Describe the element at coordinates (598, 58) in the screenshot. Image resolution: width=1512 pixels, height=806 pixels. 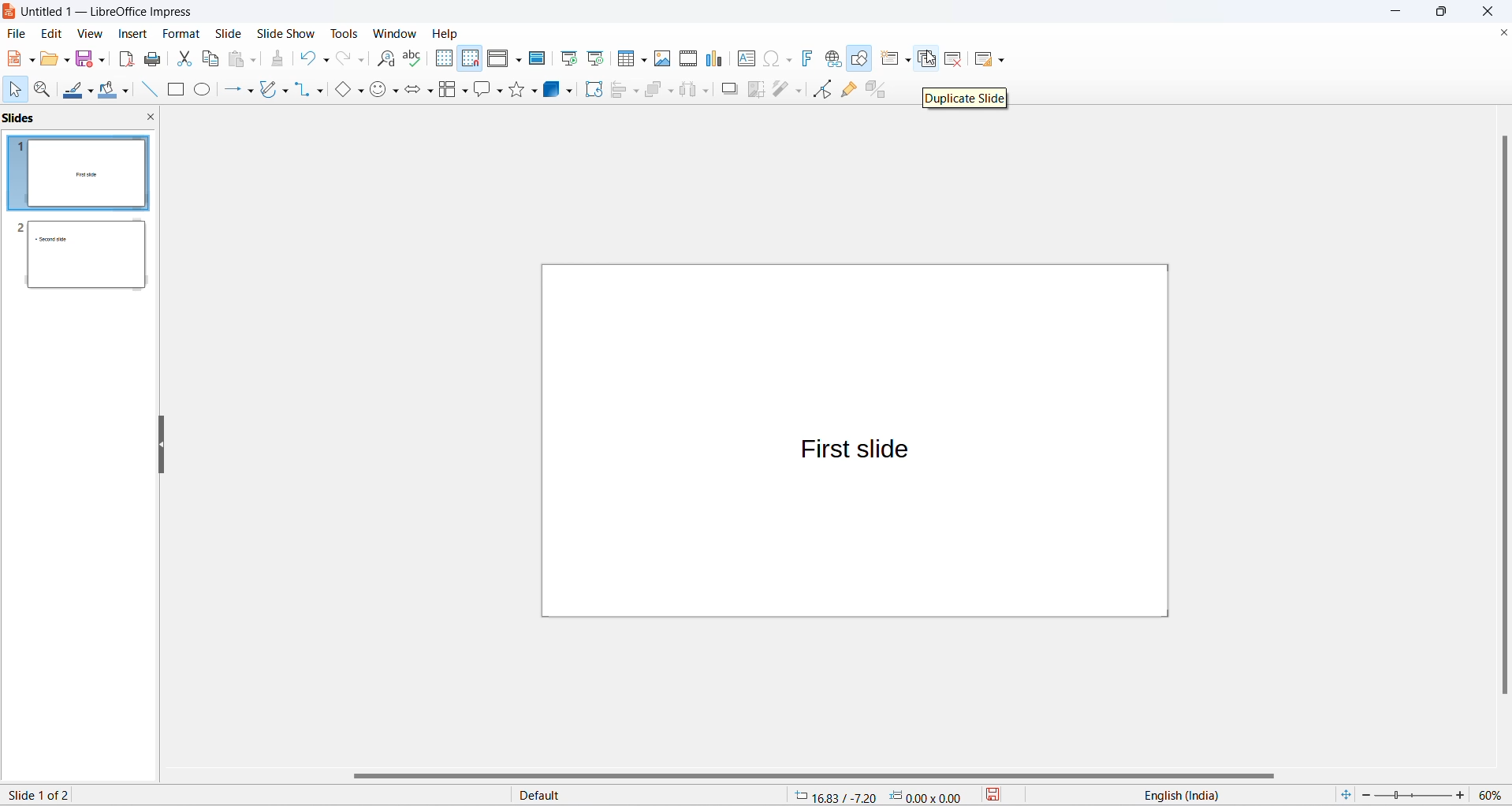
I see `start from current slide` at that location.